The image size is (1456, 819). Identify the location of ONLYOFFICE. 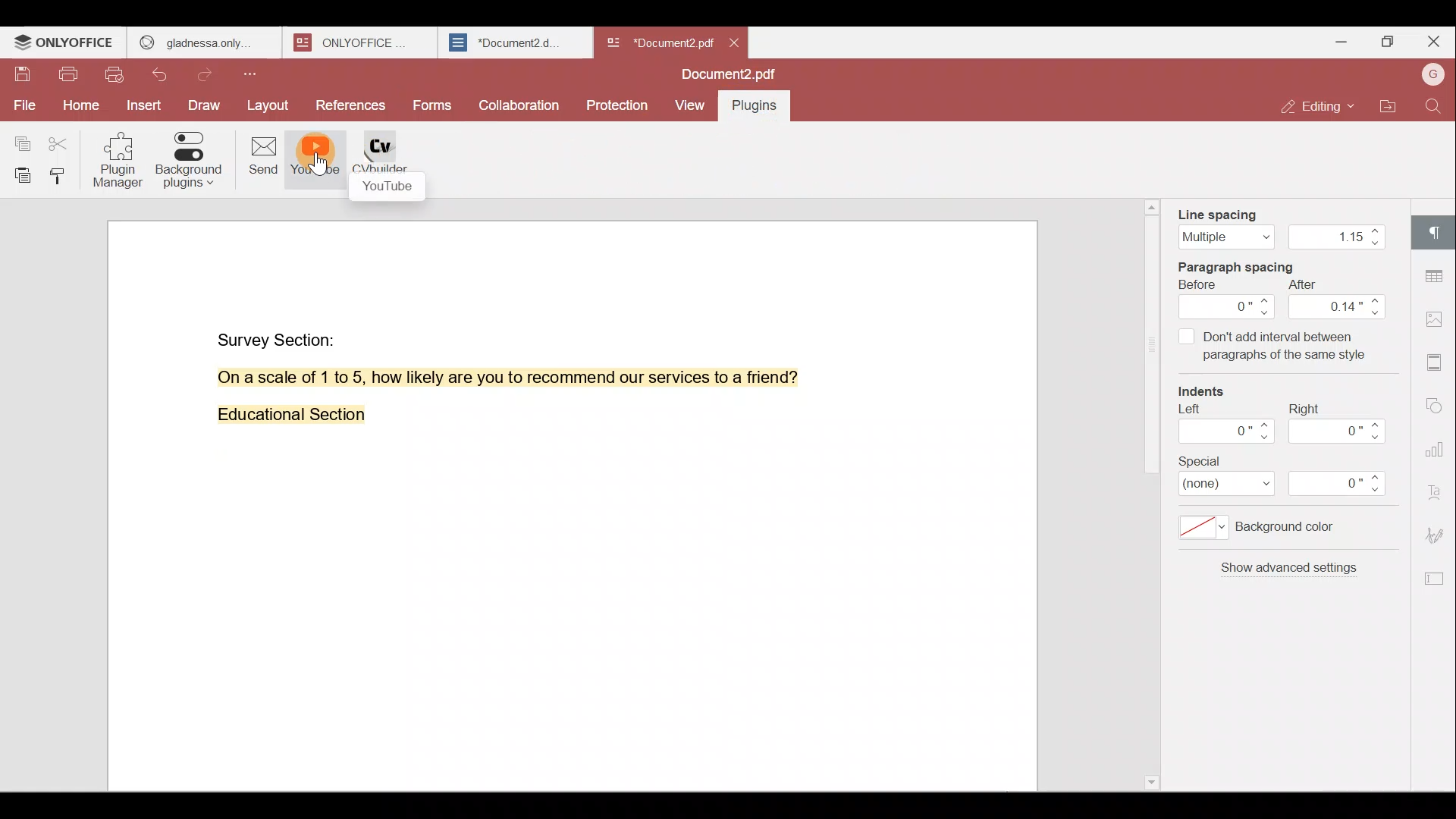
(65, 42).